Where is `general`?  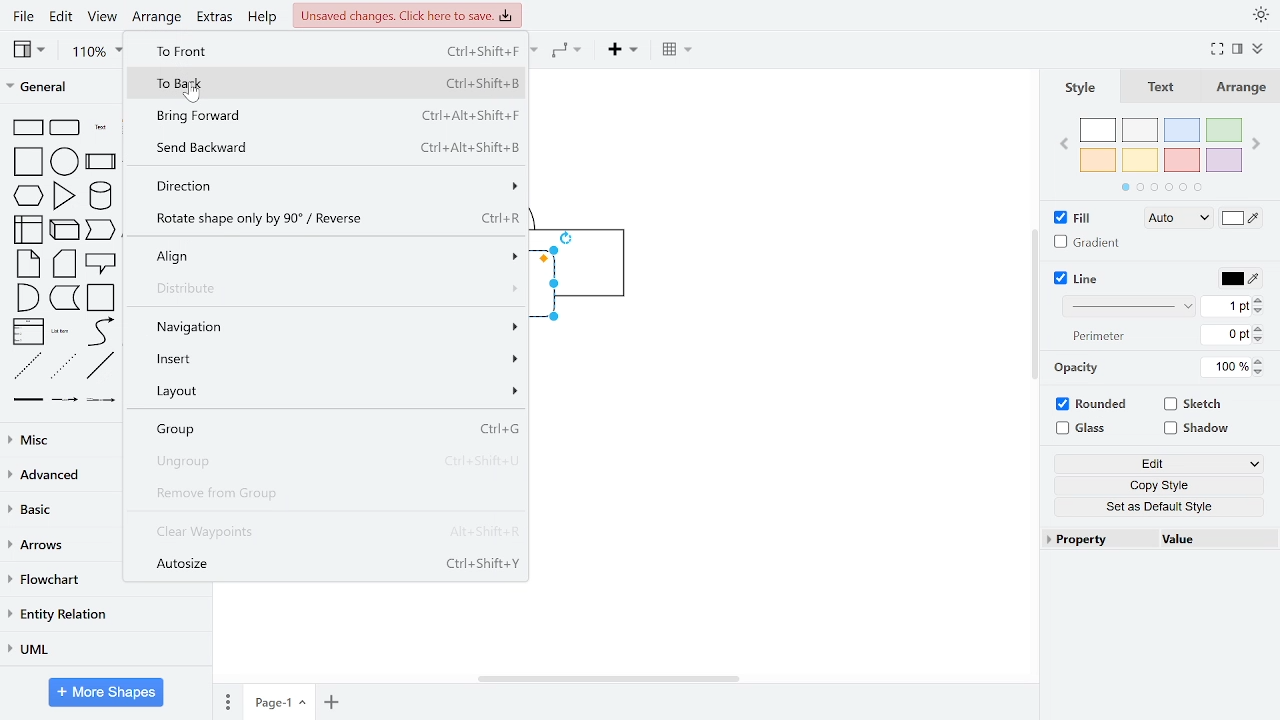
general is located at coordinates (58, 85).